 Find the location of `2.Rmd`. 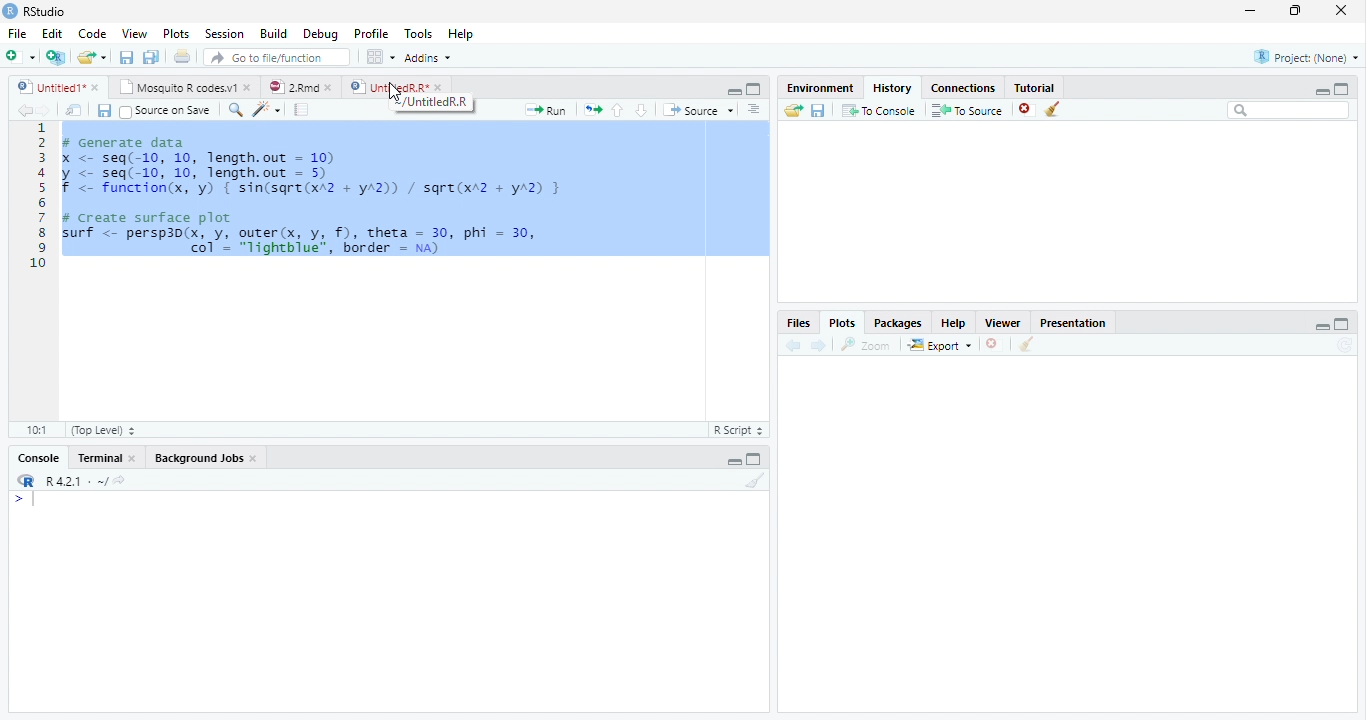

2.Rmd is located at coordinates (292, 86).